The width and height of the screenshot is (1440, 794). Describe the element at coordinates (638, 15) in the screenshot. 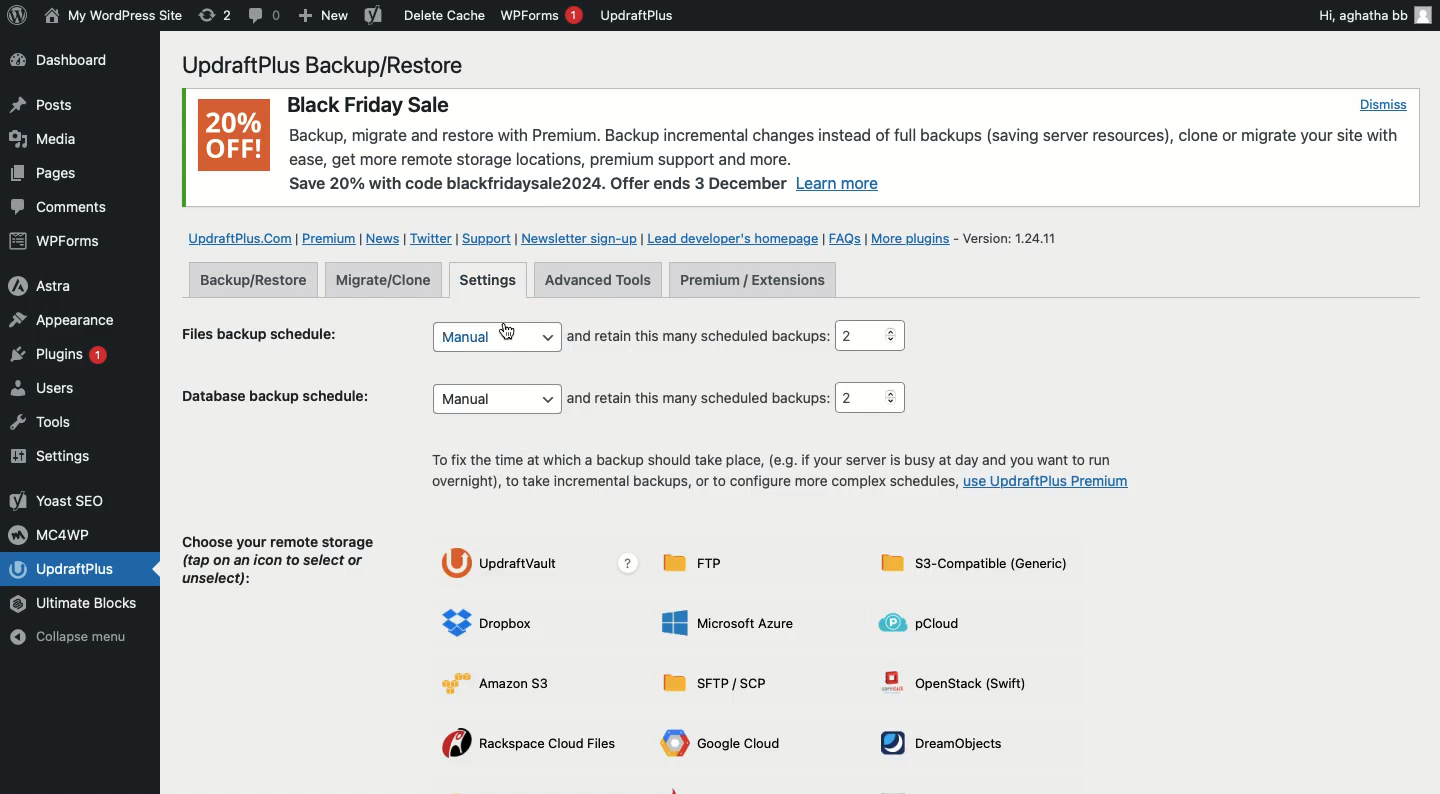

I see `UpdraftPlus` at that location.